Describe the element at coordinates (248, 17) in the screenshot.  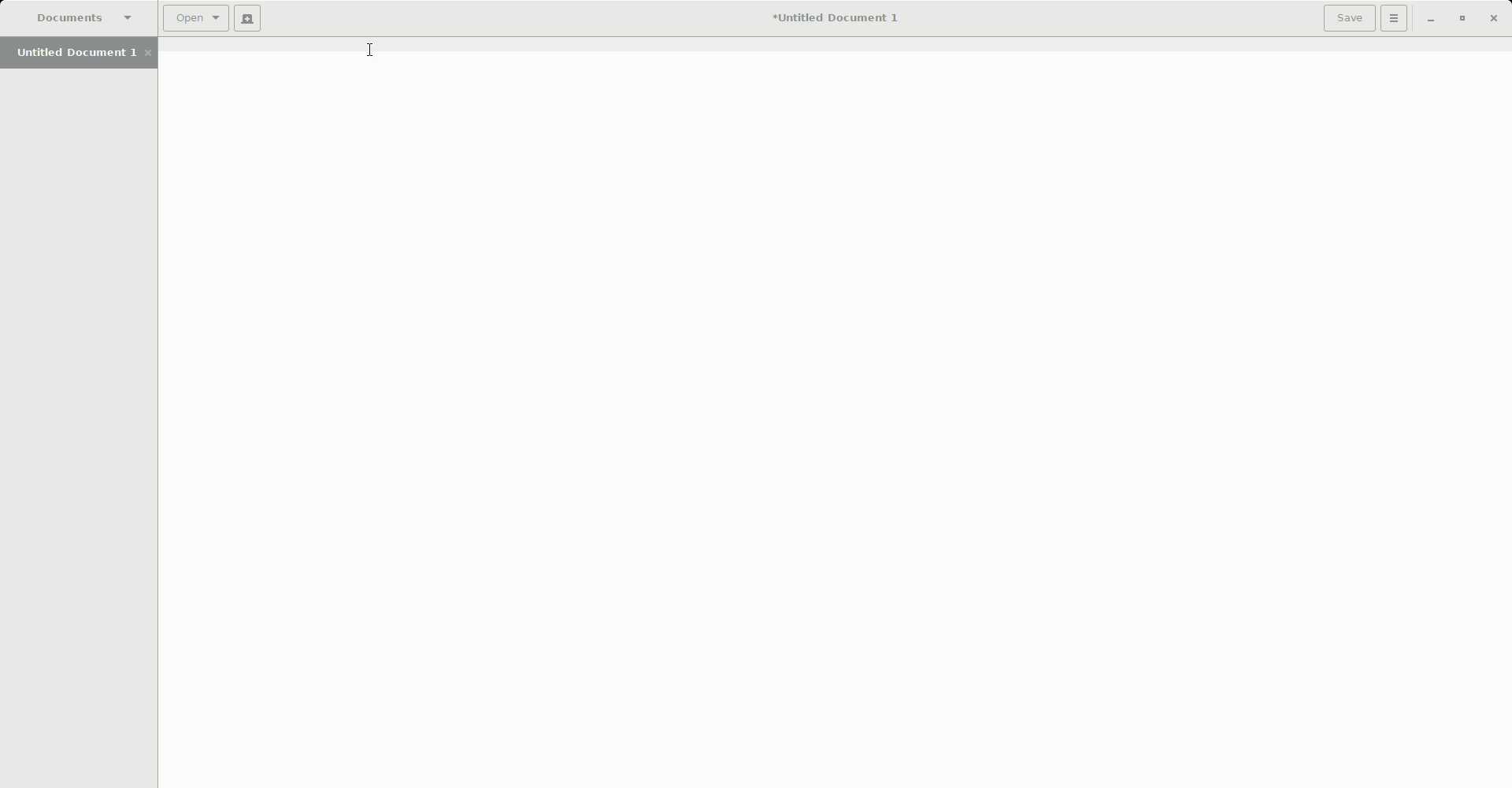
I see `New` at that location.